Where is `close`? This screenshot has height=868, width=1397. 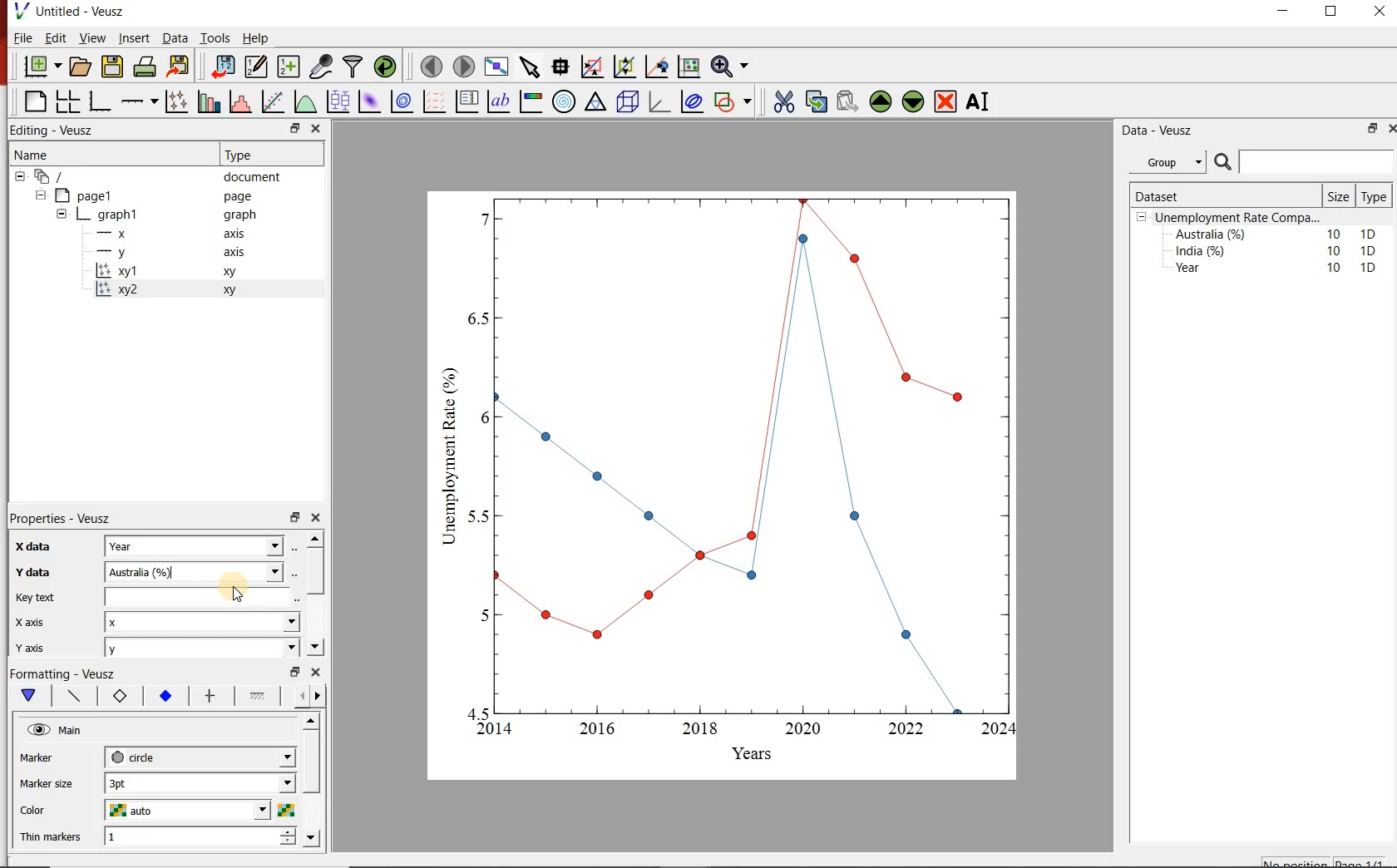
close is located at coordinates (317, 128).